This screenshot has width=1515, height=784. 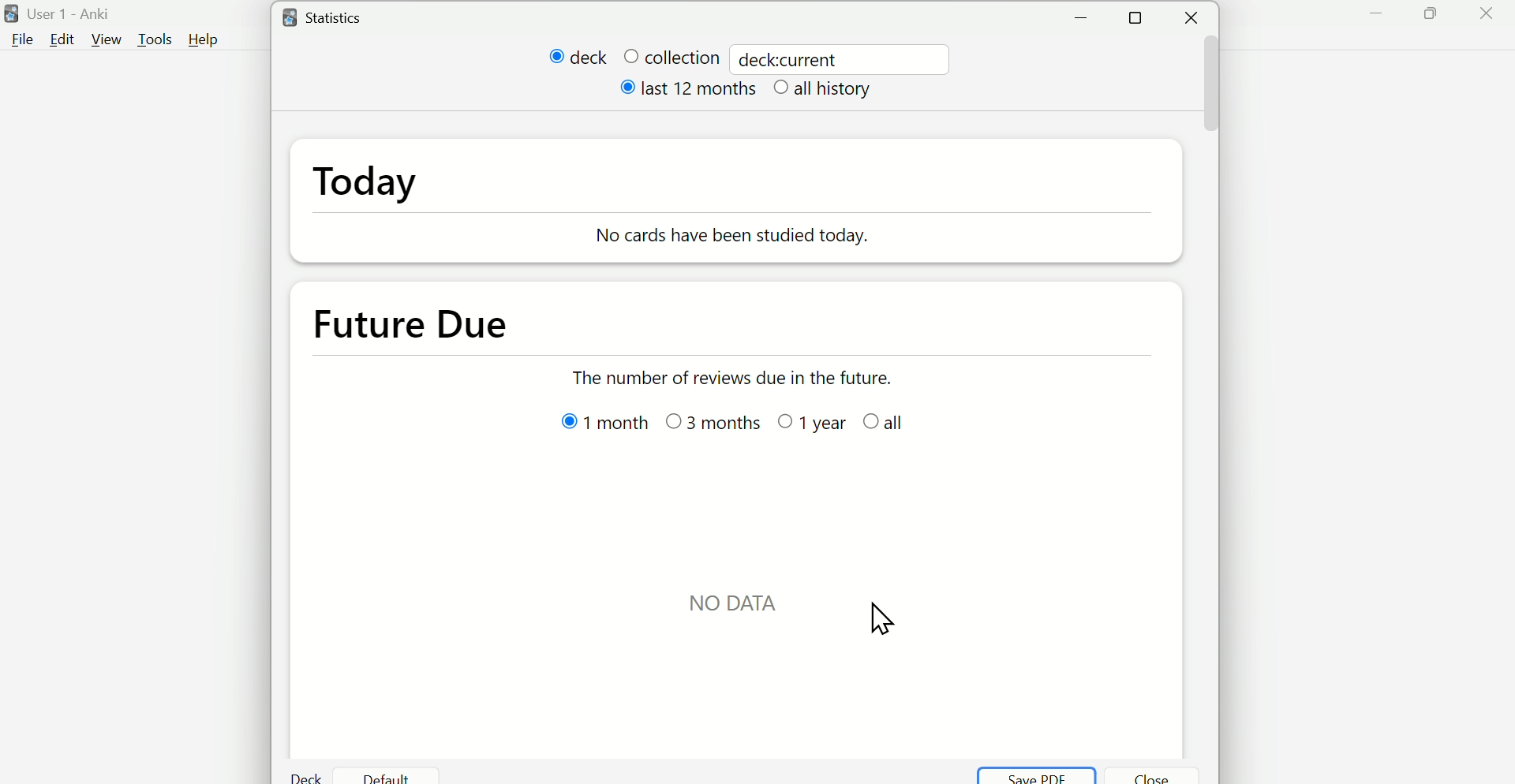 What do you see at coordinates (107, 39) in the screenshot?
I see `View` at bounding box center [107, 39].